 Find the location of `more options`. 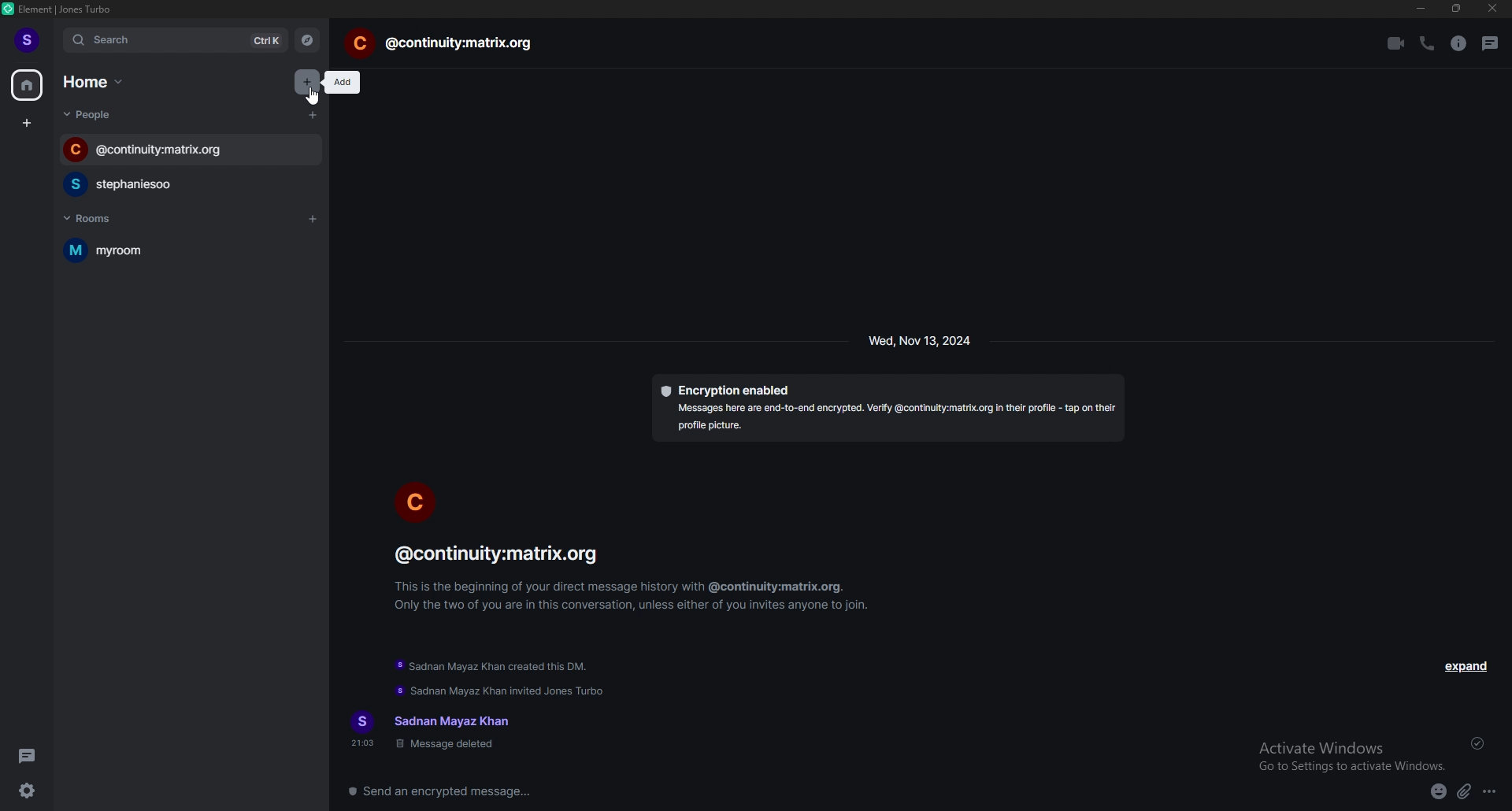

more options is located at coordinates (1491, 793).